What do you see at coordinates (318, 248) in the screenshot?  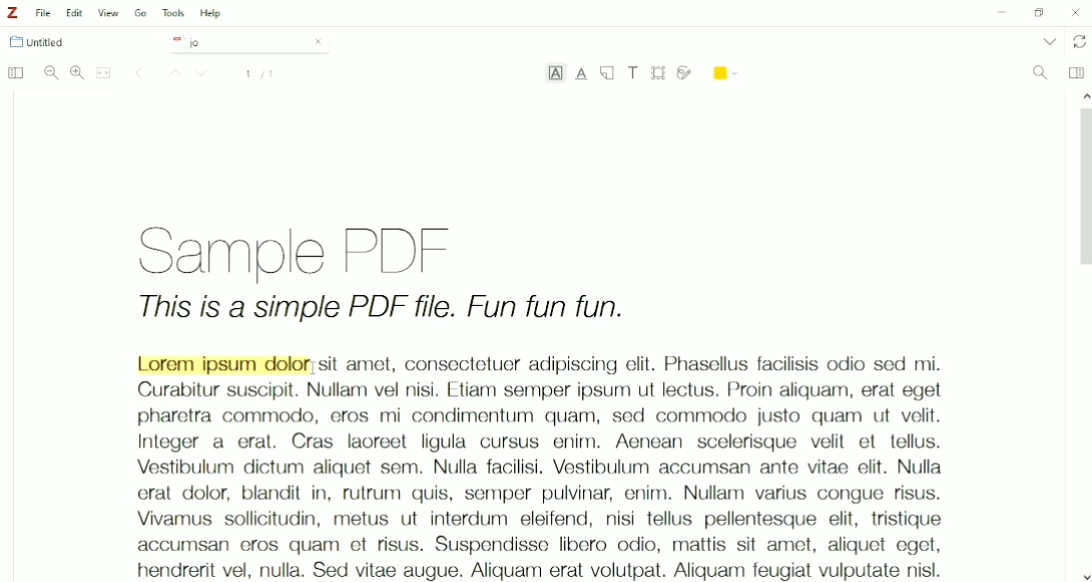 I see `Sample PDF` at bounding box center [318, 248].